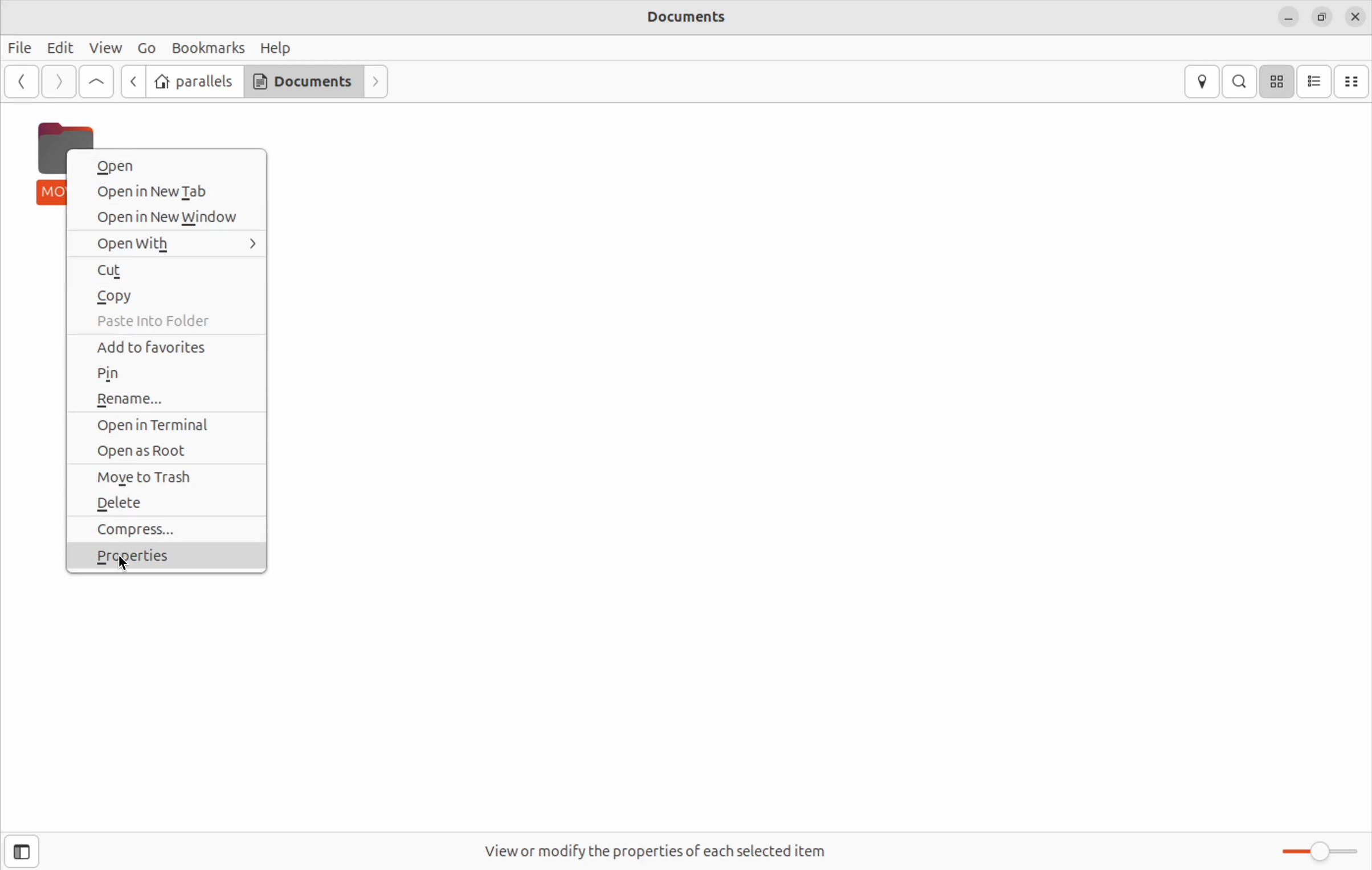 The width and height of the screenshot is (1372, 870). I want to click on List view, so click(1317, 81).